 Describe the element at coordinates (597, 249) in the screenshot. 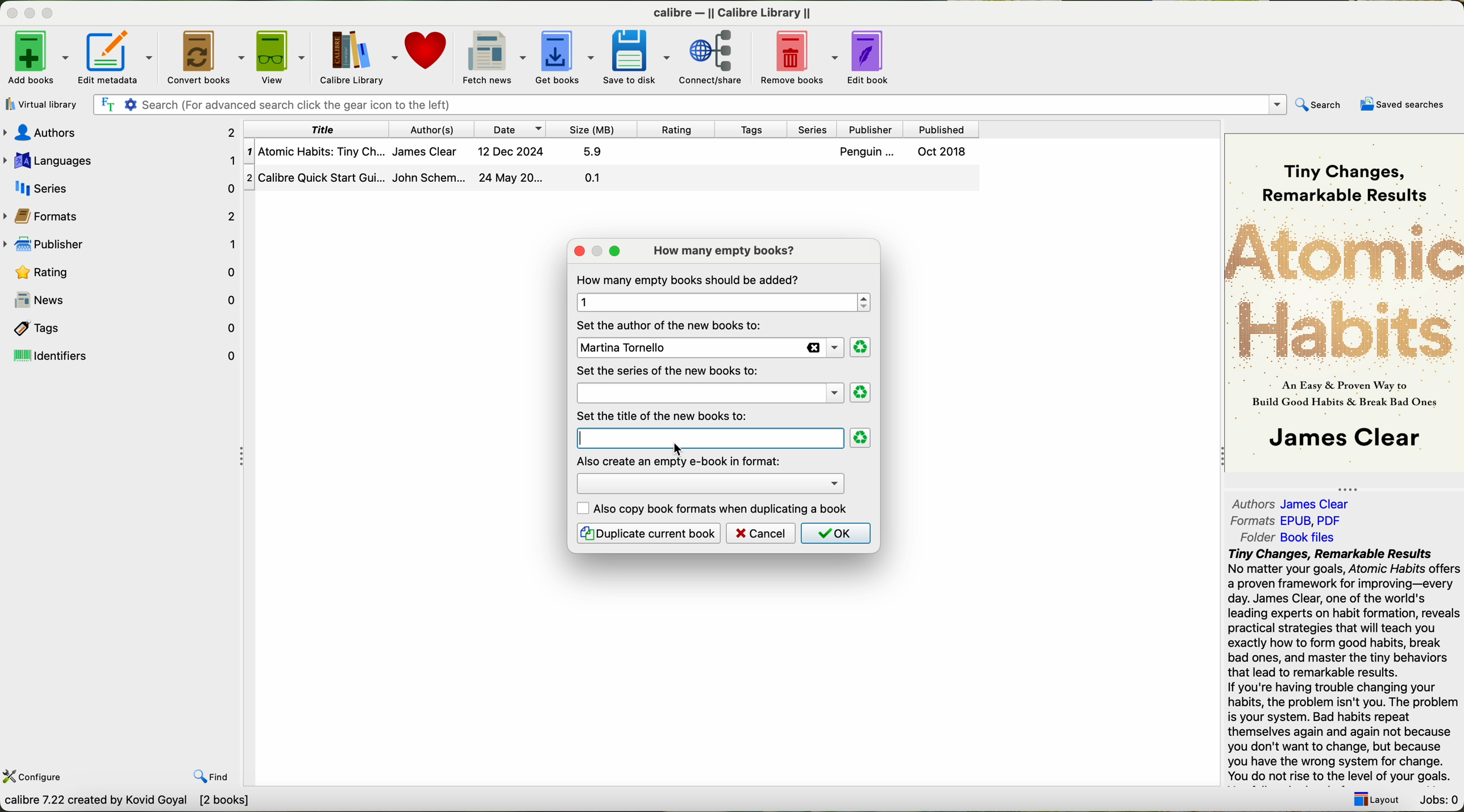

I see `maximize` at that location.